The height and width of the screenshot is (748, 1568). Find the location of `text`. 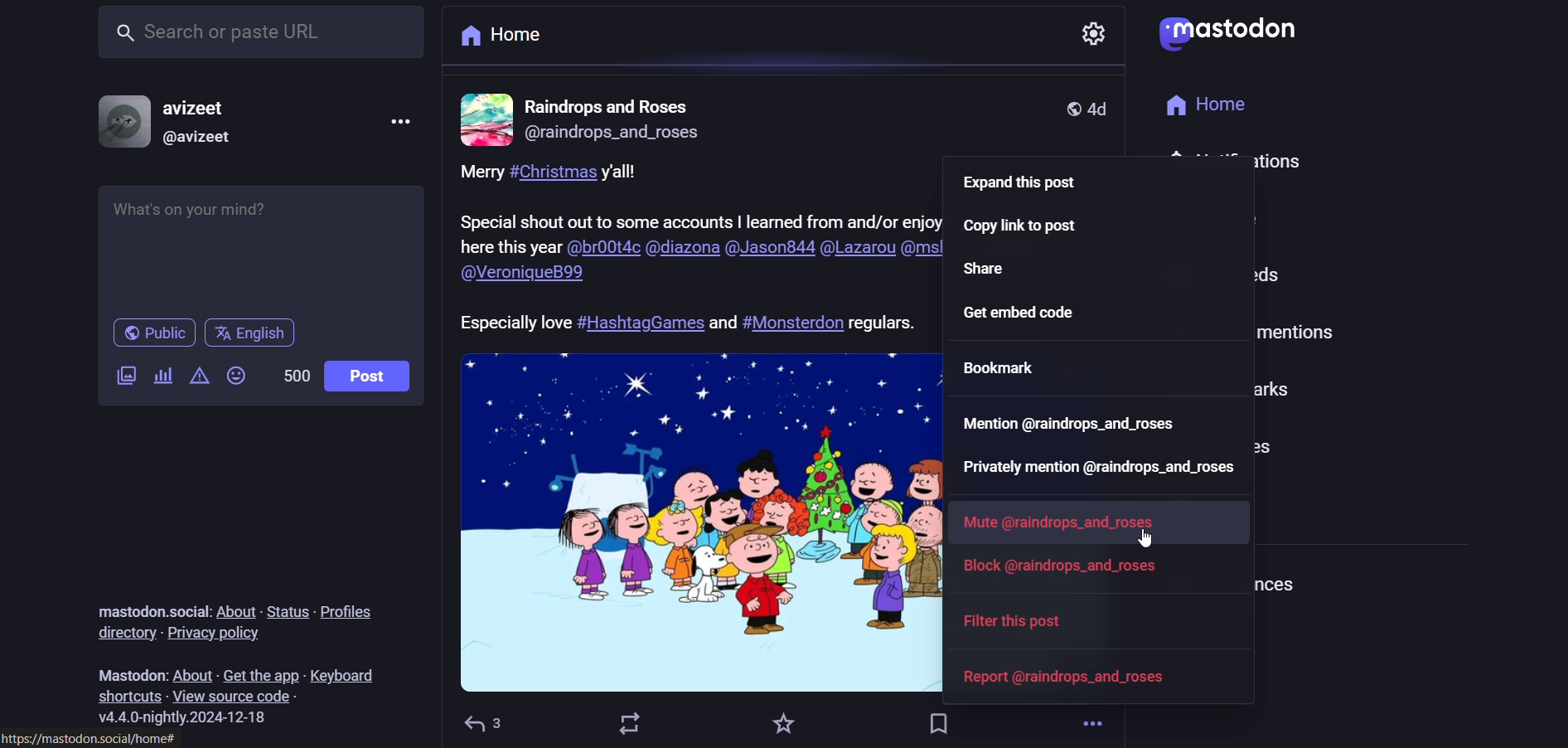

text is located at coordinates (141, 605).